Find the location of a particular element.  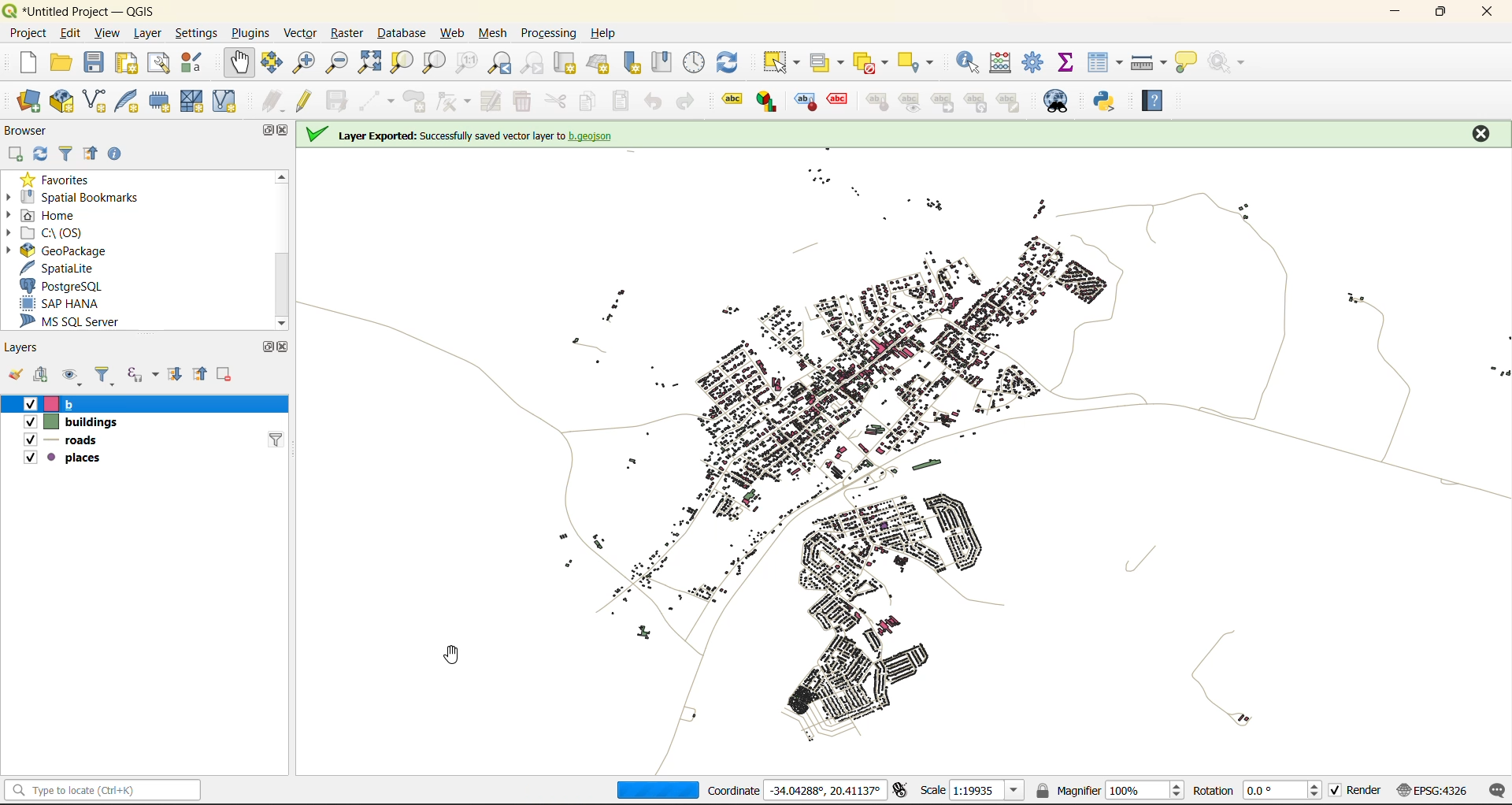

browser is located at coordinates (32, 130).